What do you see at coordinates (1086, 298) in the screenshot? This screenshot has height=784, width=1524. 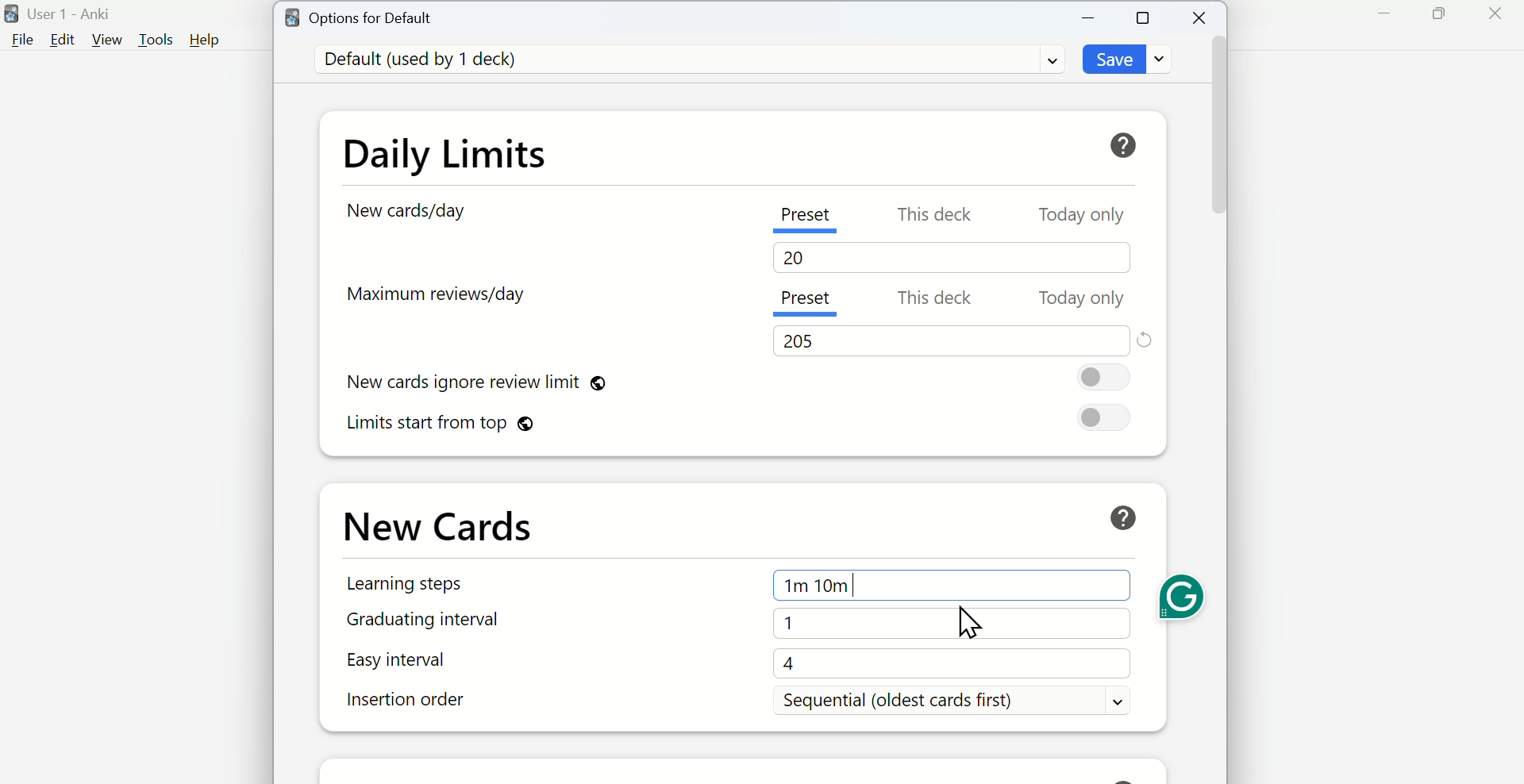 I see `Today only` at bounding box center [1086, 298].